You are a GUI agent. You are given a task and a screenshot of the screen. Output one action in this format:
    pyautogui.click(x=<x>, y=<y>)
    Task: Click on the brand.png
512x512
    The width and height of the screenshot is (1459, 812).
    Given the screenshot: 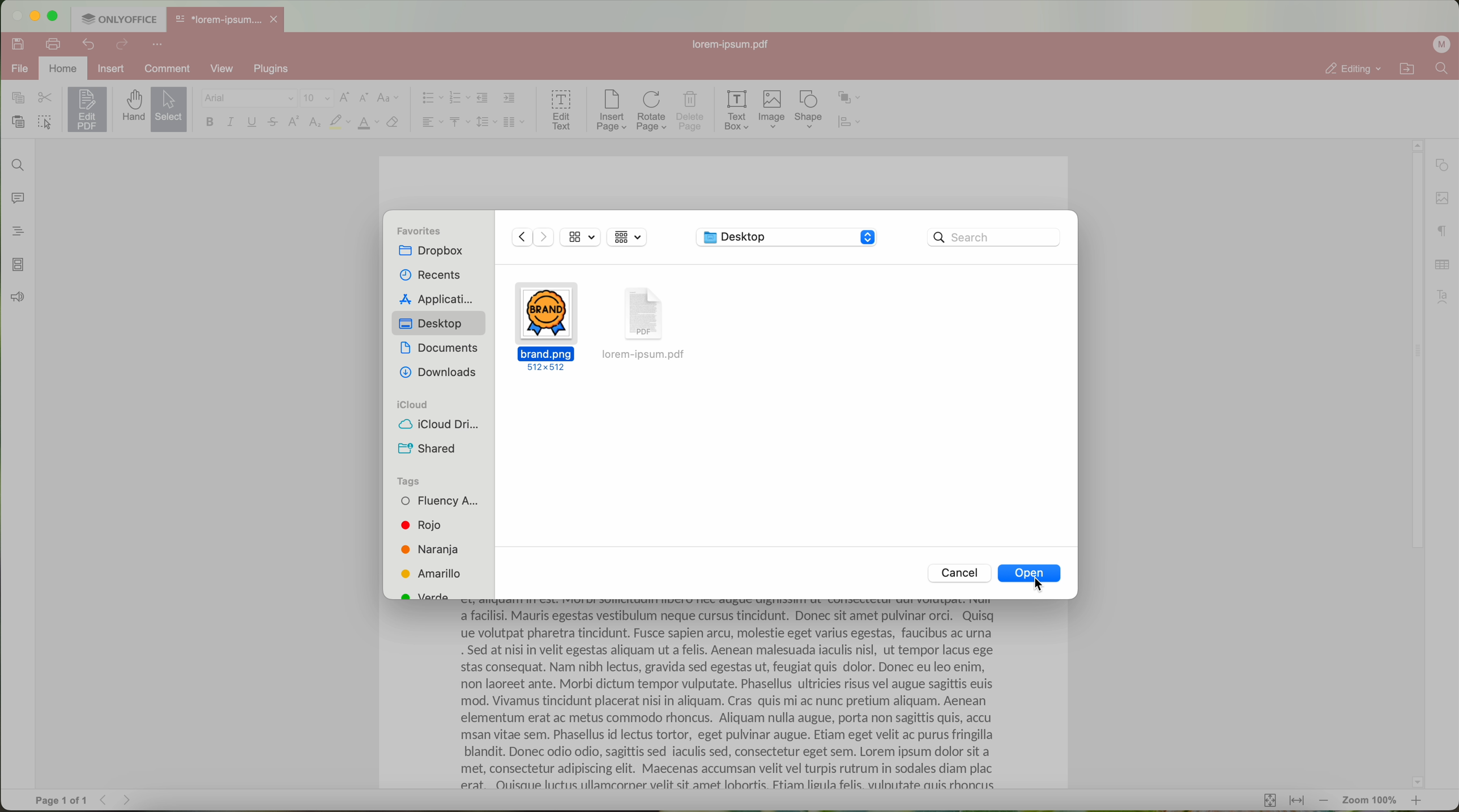 What is the action you would take?
    pyautogui.click(x=547, y=330)
    